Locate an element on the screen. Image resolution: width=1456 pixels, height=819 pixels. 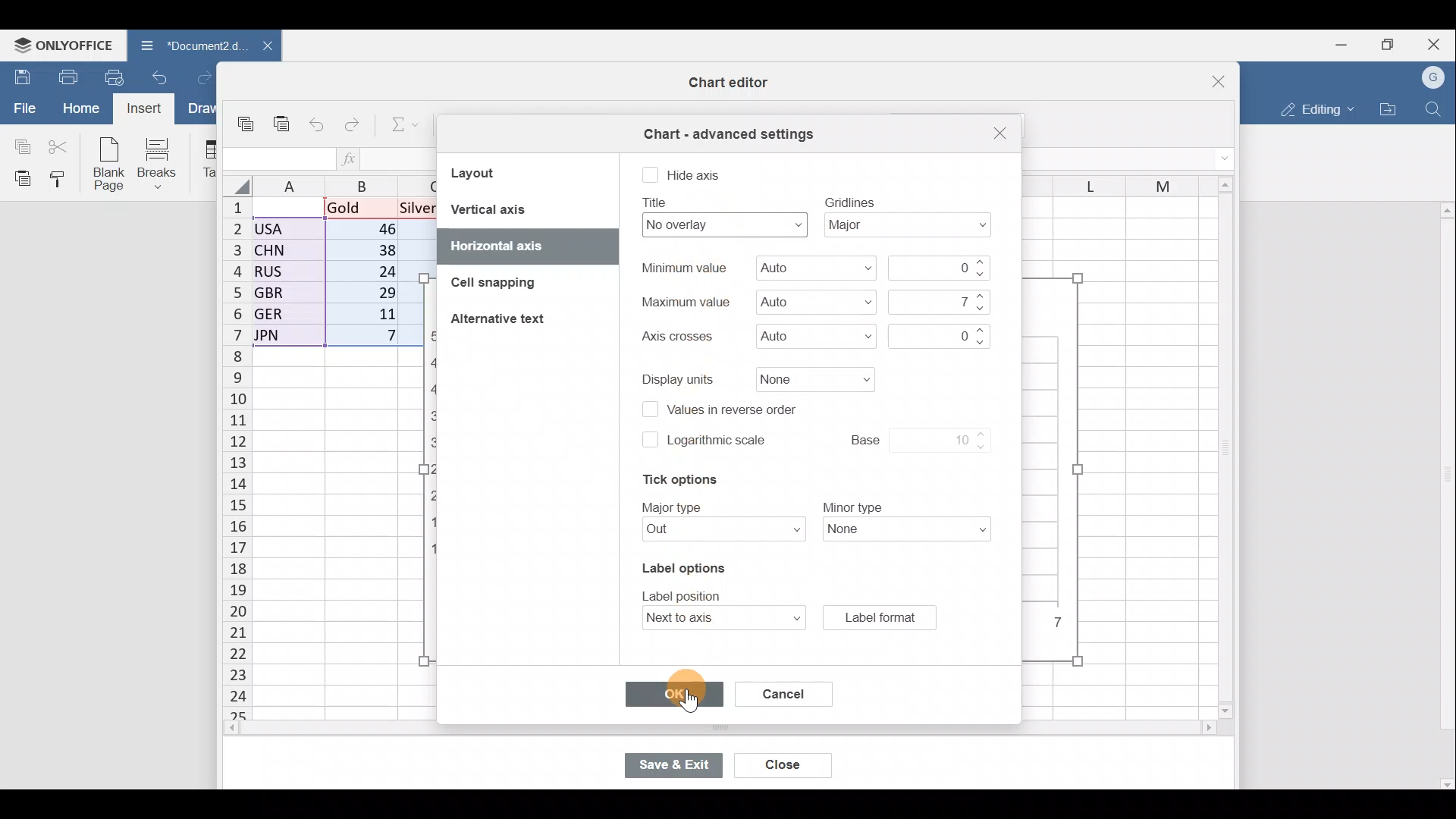
Chart editor is located at coordinates (724, 83).